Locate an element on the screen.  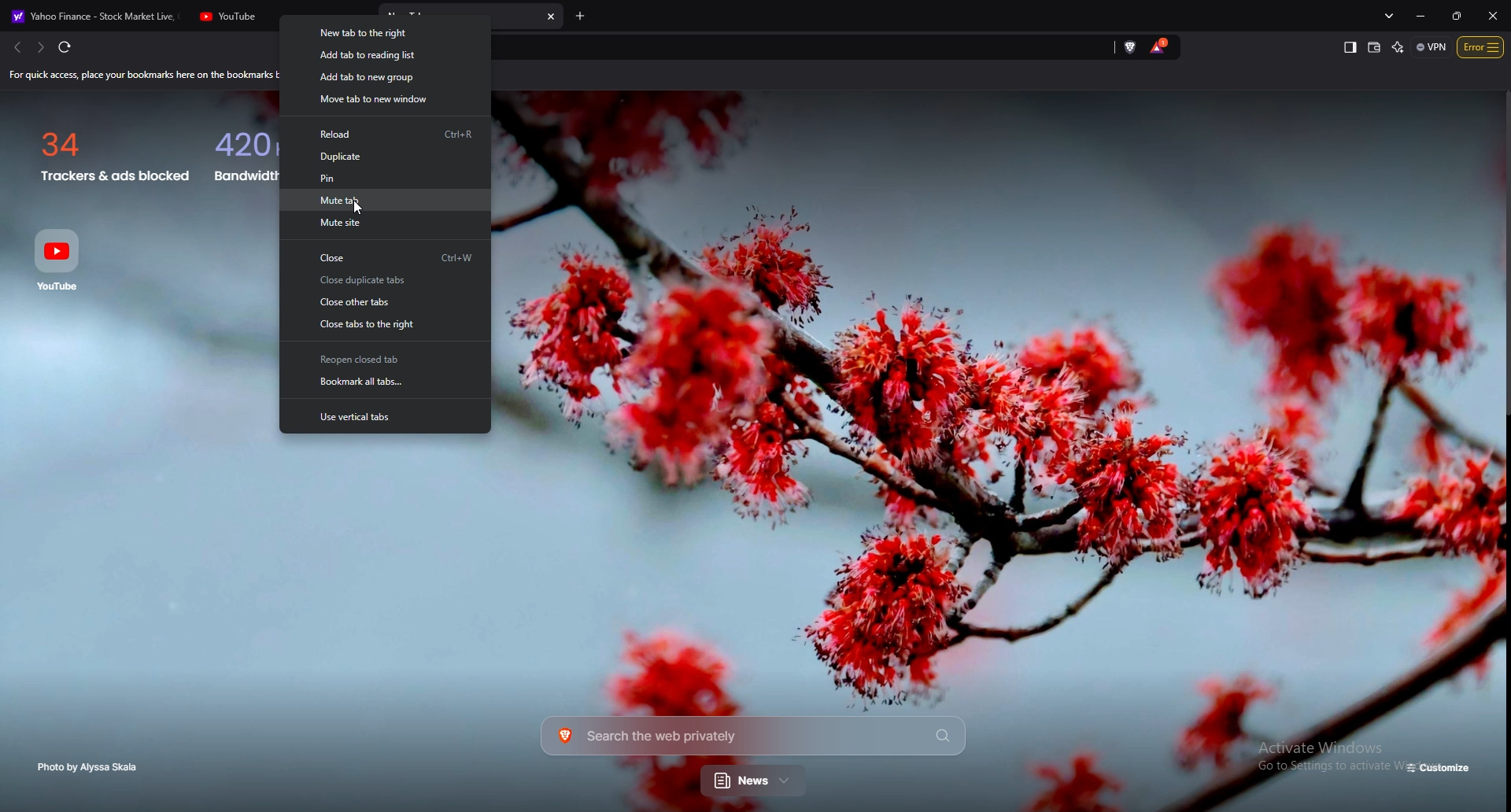
34 Trackers & ads blocked is located at coordinates (107, 151).